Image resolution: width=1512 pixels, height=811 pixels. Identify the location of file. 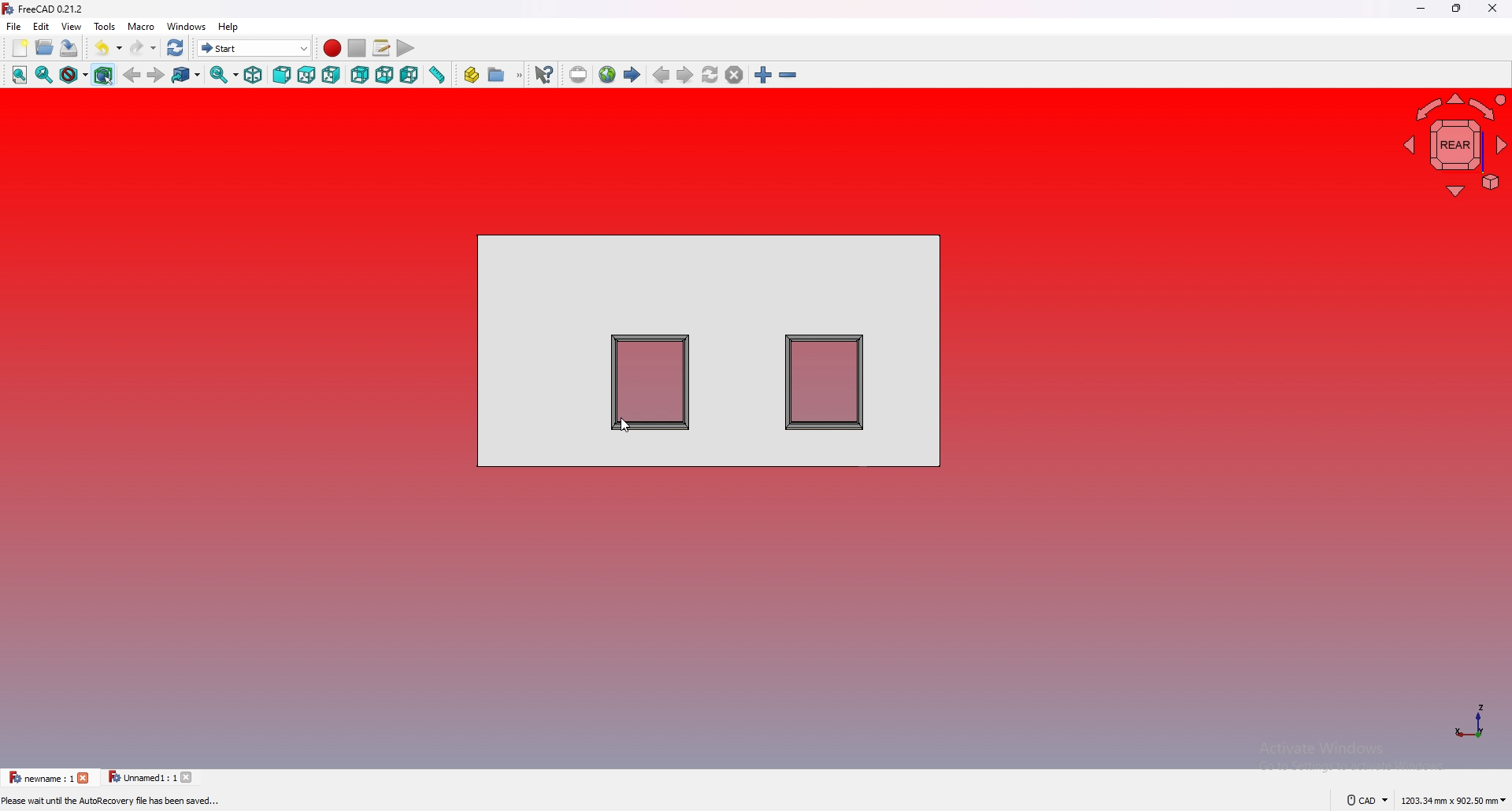
(15, 26).